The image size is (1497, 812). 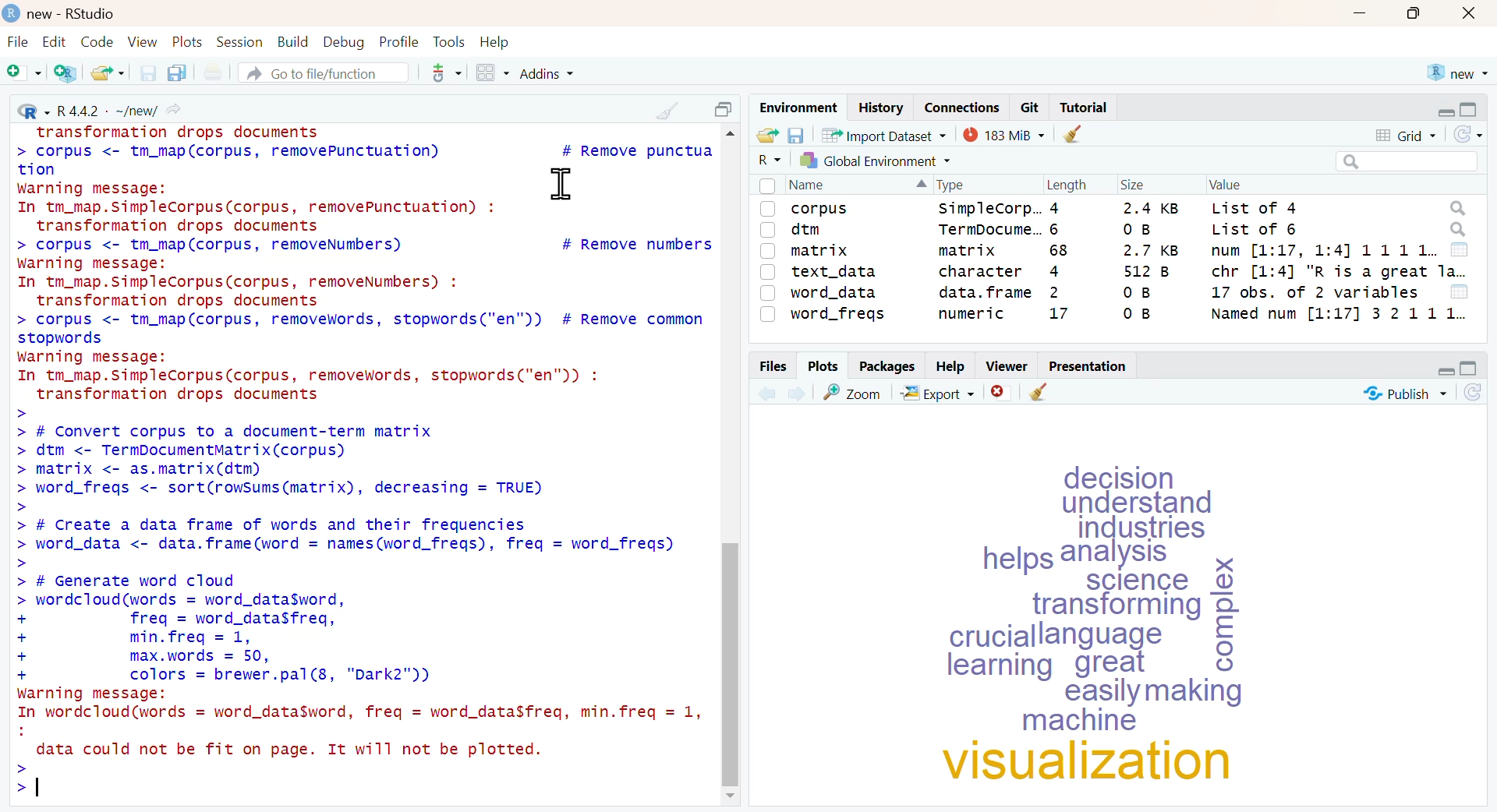 What do you see at coordinates (836, 272) in the screenshot?
I see `text_data` at bounding box center [836, 272].